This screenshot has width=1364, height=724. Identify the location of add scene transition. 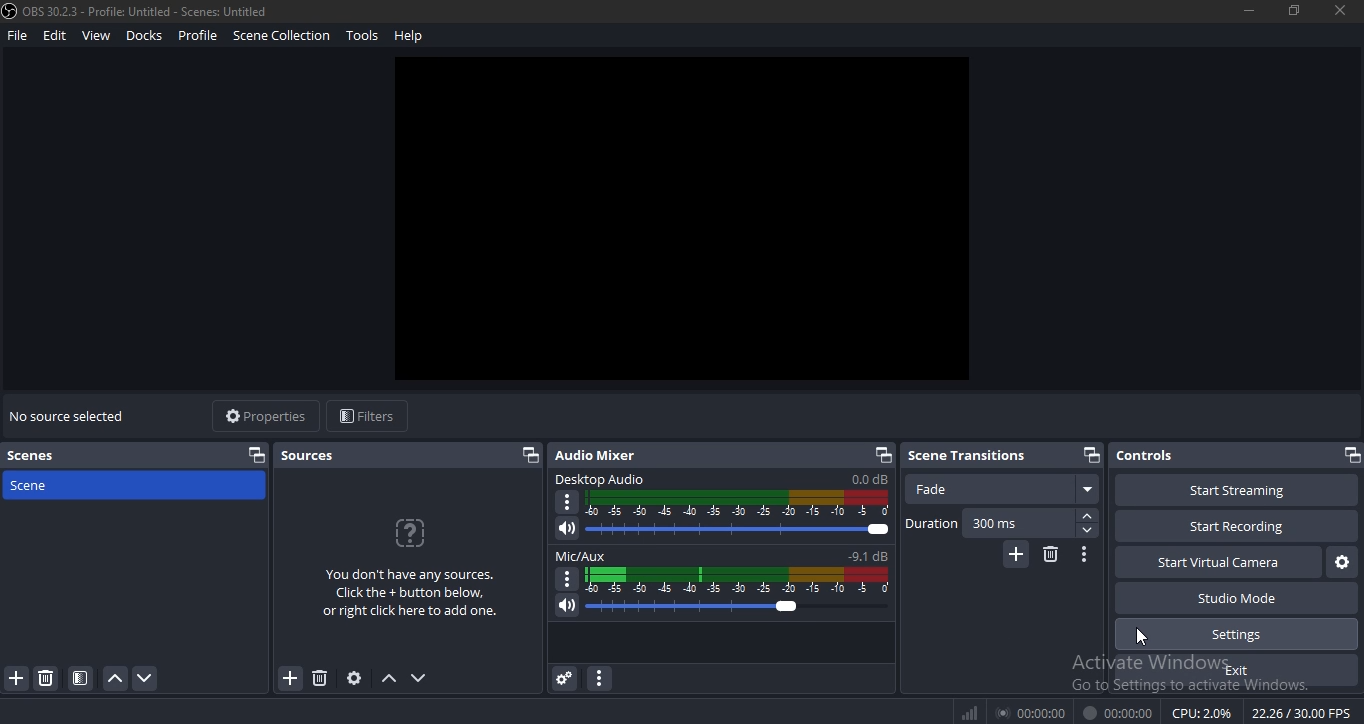
(1014, 555).